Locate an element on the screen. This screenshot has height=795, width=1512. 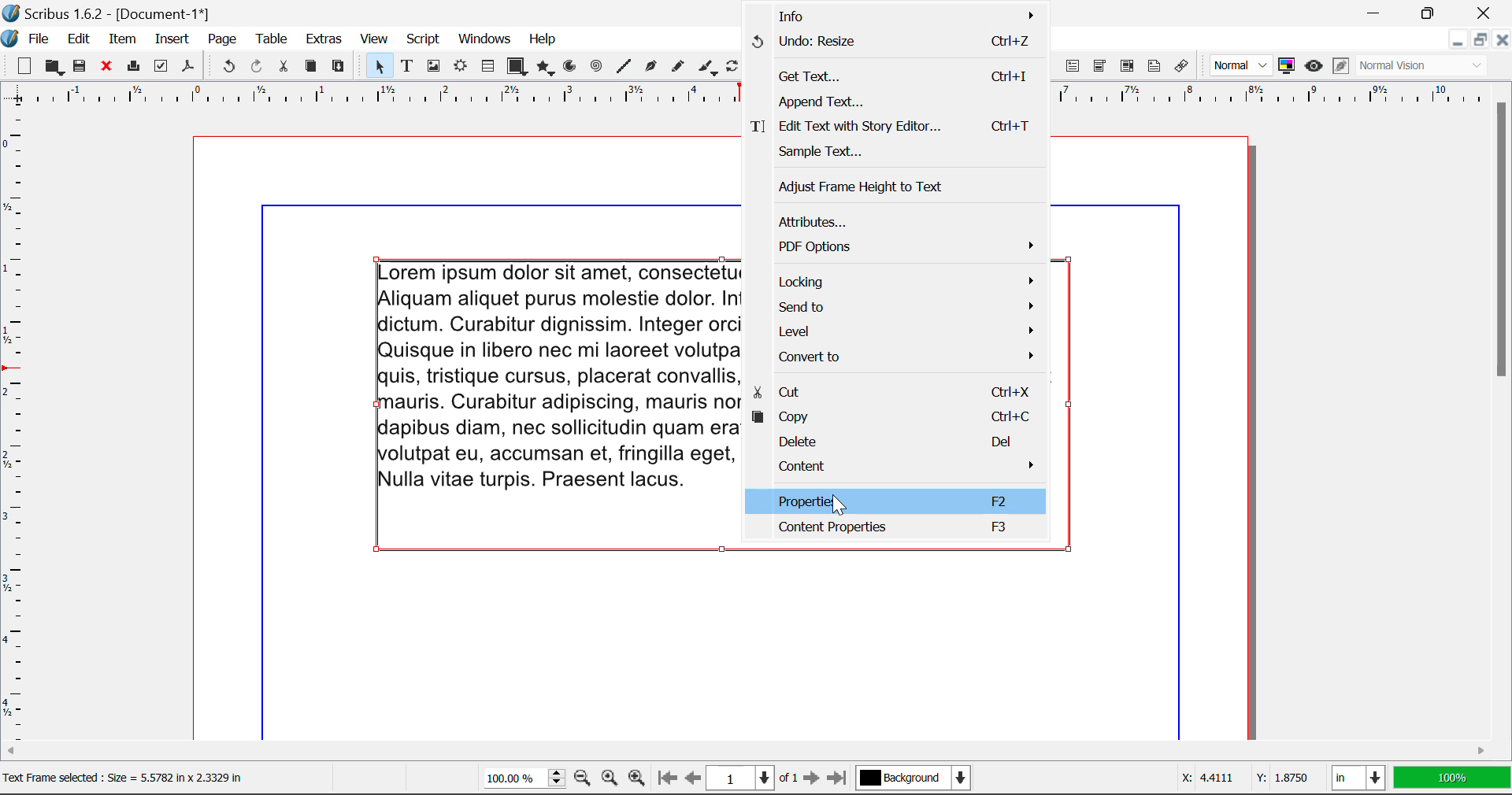
Item is located at coordinates (123, 41).